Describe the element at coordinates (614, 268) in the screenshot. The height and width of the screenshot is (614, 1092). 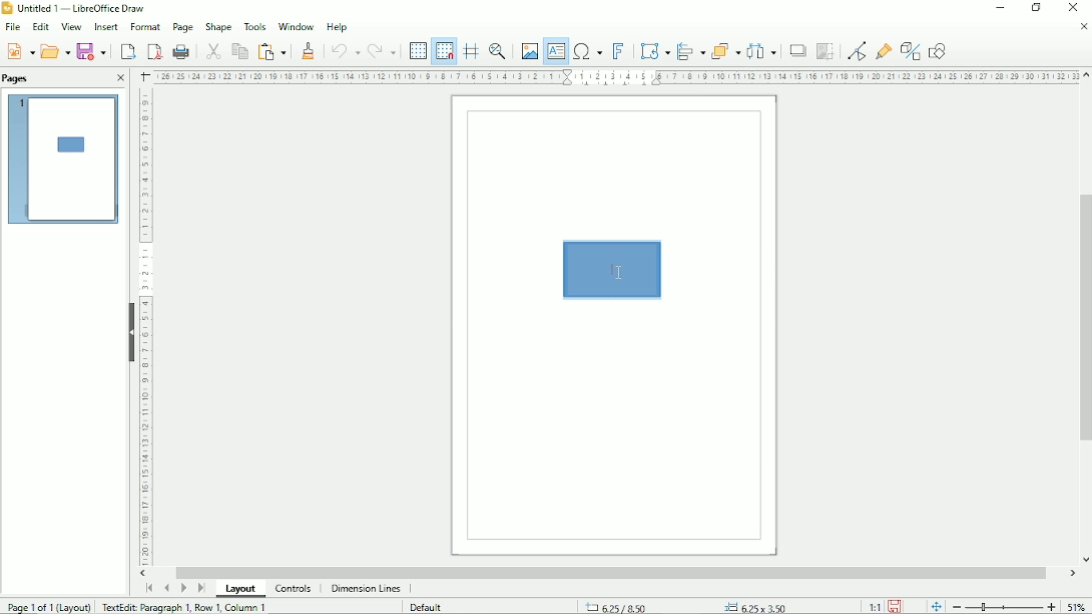
I see `Rectangle` at that location.